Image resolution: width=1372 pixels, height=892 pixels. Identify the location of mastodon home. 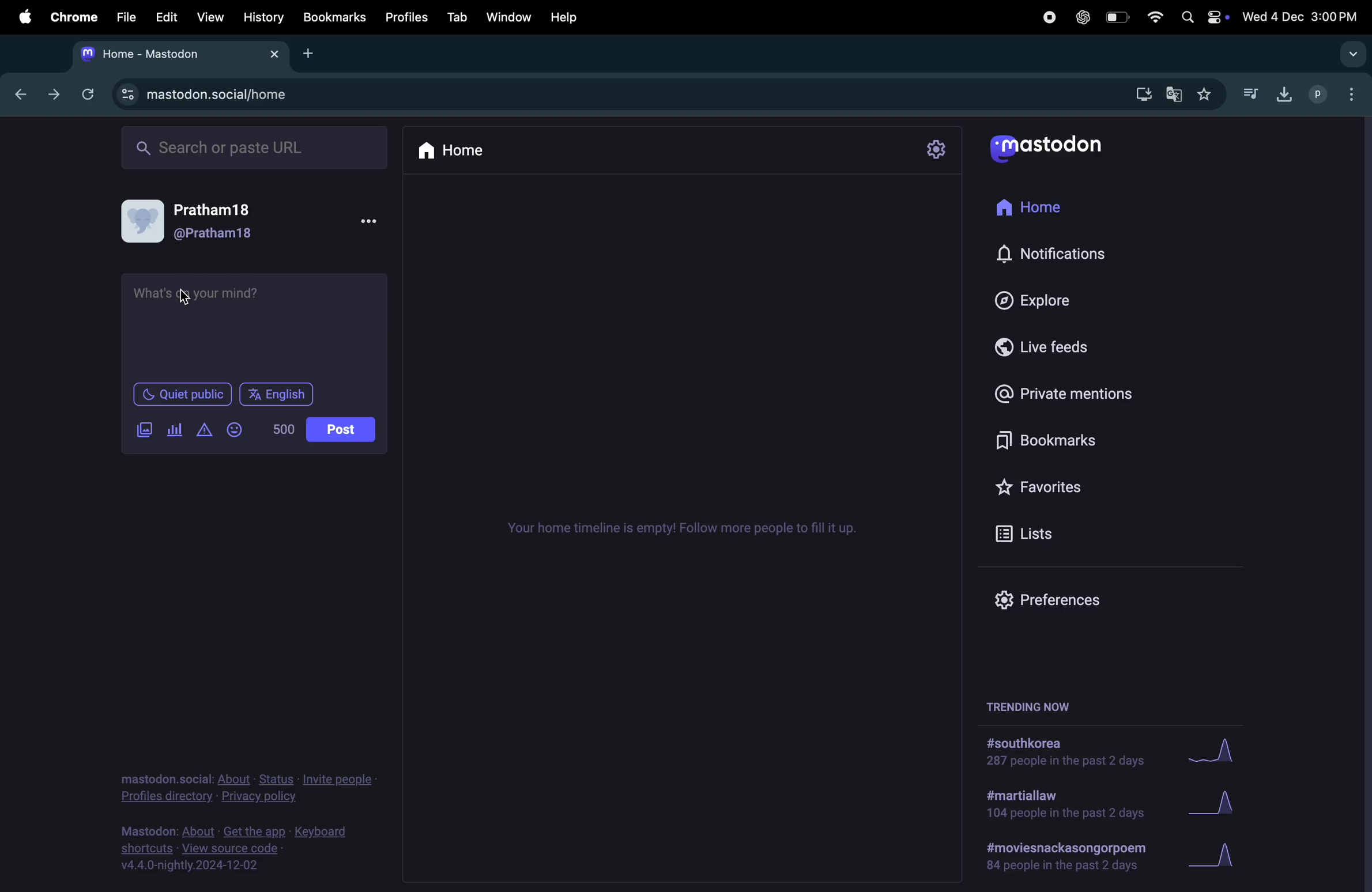
(179, 54).